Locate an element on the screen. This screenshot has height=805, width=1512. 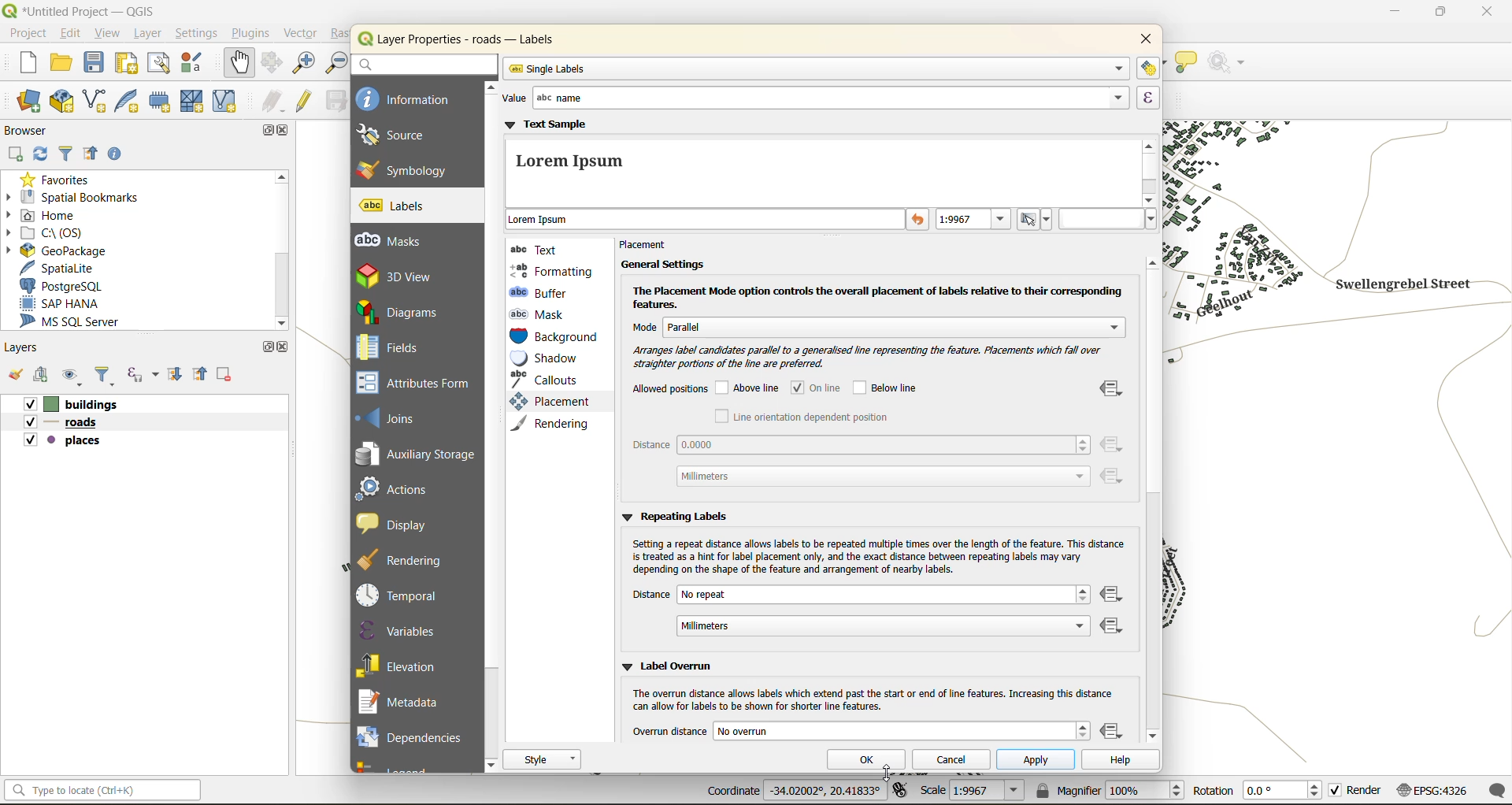
no action is located at coordinates (1232, 63).